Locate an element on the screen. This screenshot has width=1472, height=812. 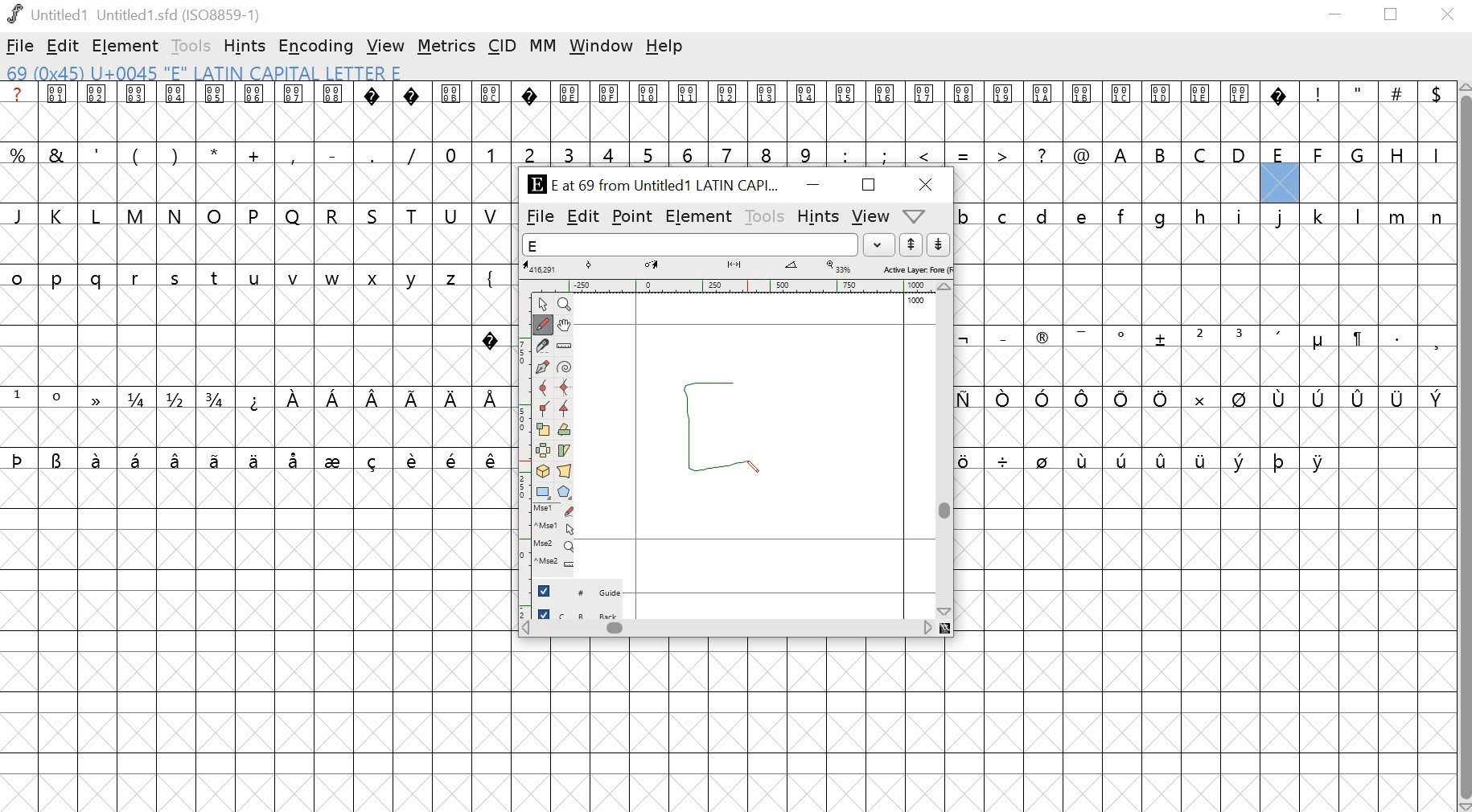
scrollbar is located at coordinates (734, 630).